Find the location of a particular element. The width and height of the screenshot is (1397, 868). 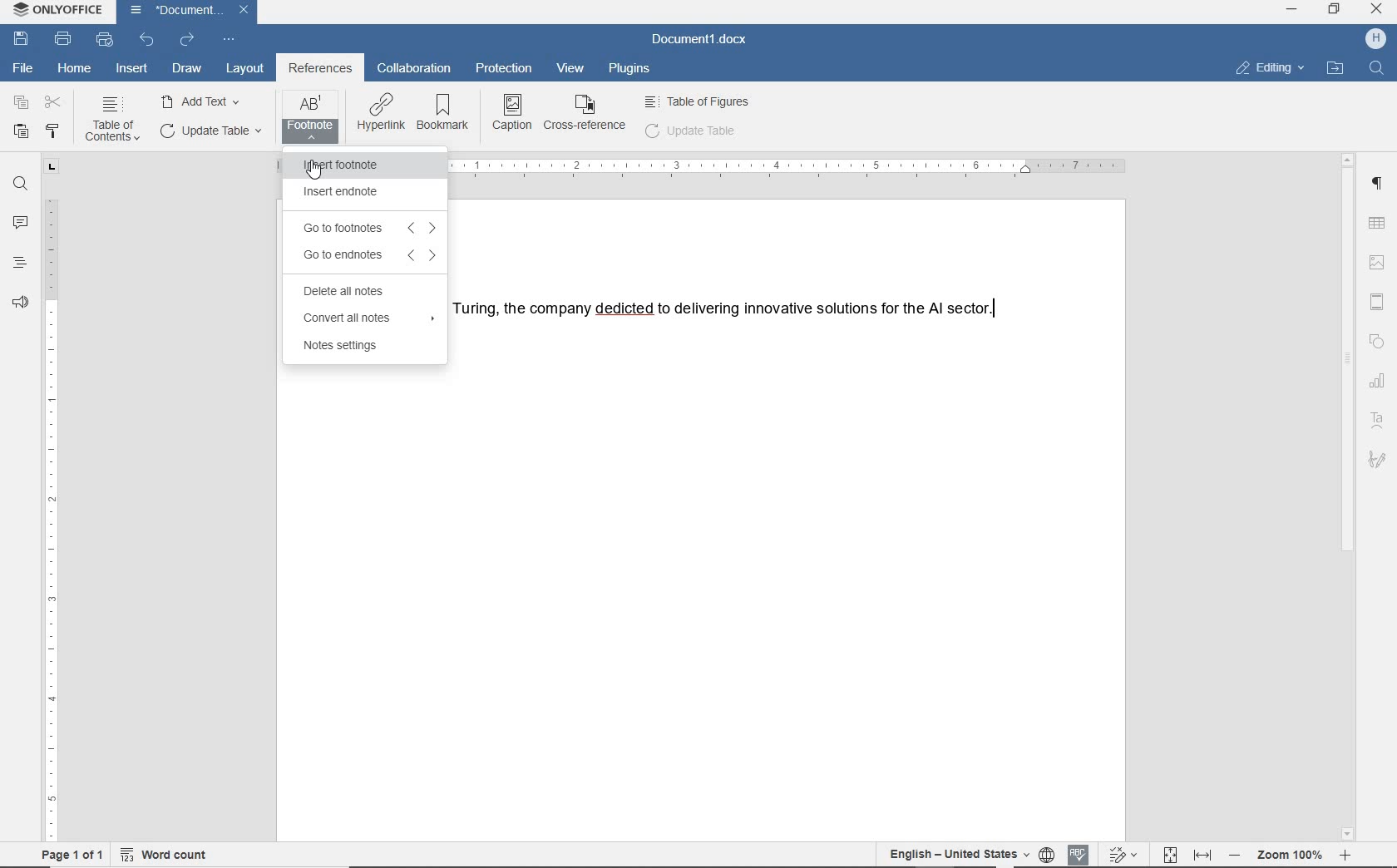

quick print is located at coordinates (103, 40).